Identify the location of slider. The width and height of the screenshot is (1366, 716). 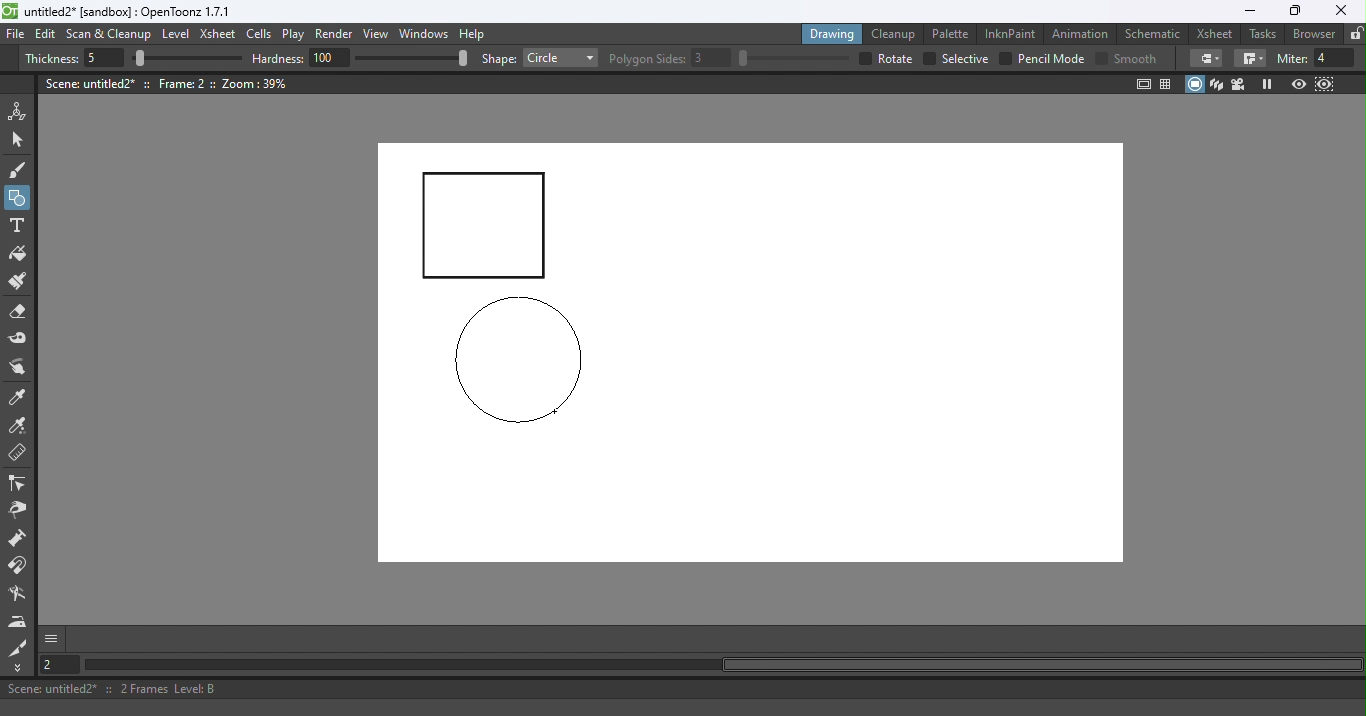
(411, 57).